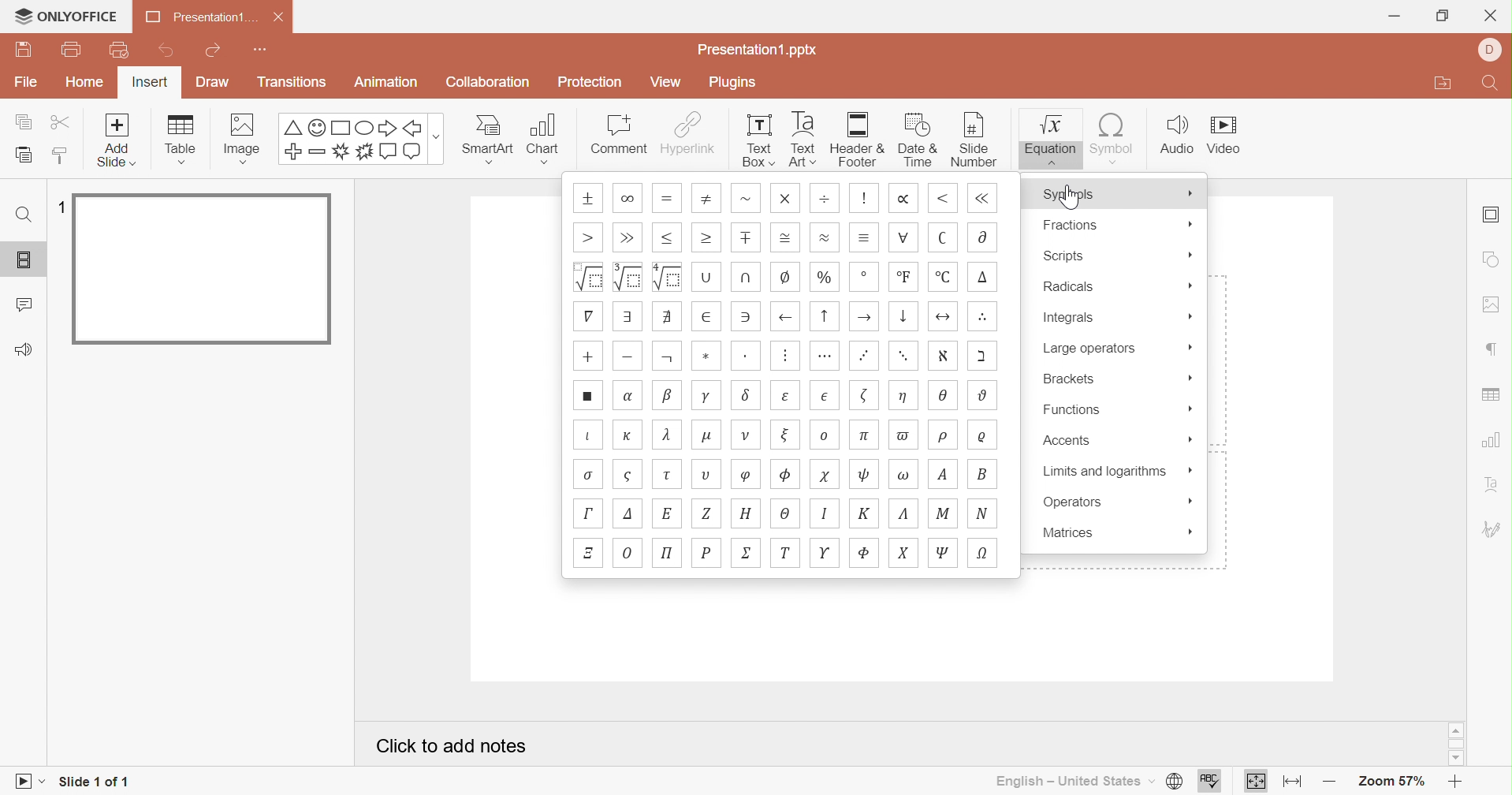  Describe the element at coordinates (1119, 254) in the screenshot. I see `Scripts` at that location.